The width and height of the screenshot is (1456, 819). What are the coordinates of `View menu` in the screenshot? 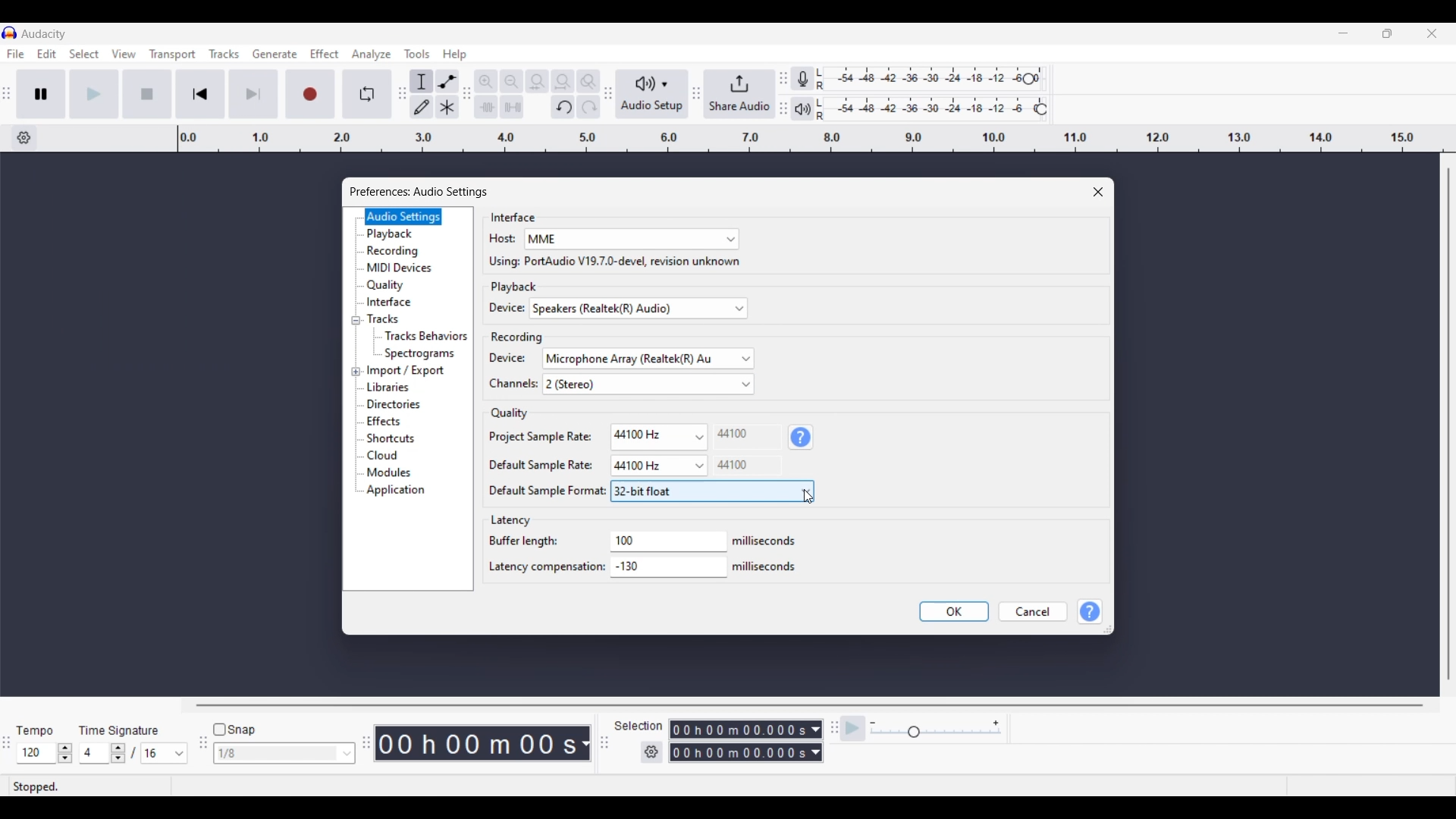 It's located at (124, 54).